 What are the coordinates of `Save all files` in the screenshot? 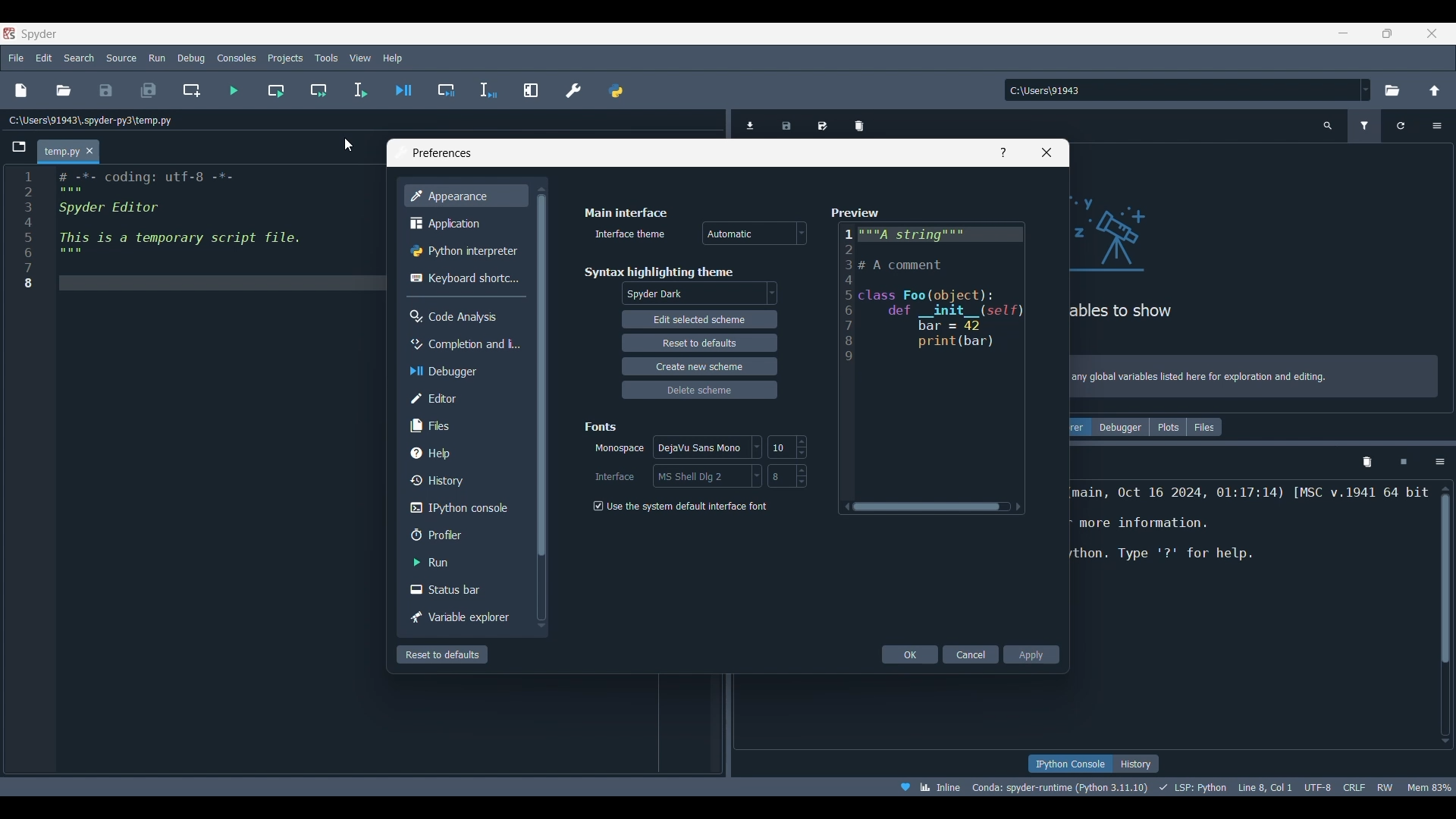 It's located at (149, 89).